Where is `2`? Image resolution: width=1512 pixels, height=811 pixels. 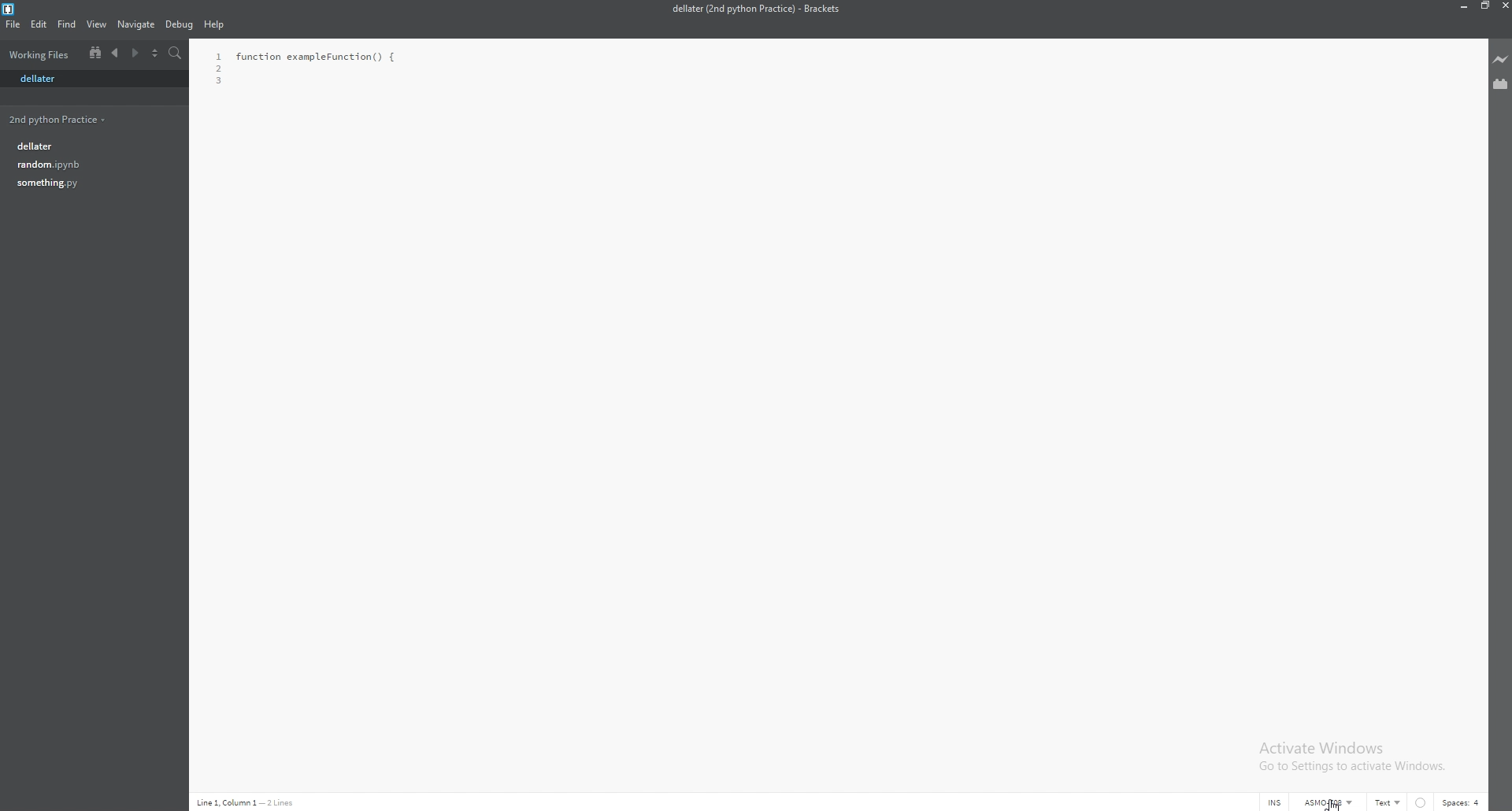
2 is located at coordinates (219, 69).